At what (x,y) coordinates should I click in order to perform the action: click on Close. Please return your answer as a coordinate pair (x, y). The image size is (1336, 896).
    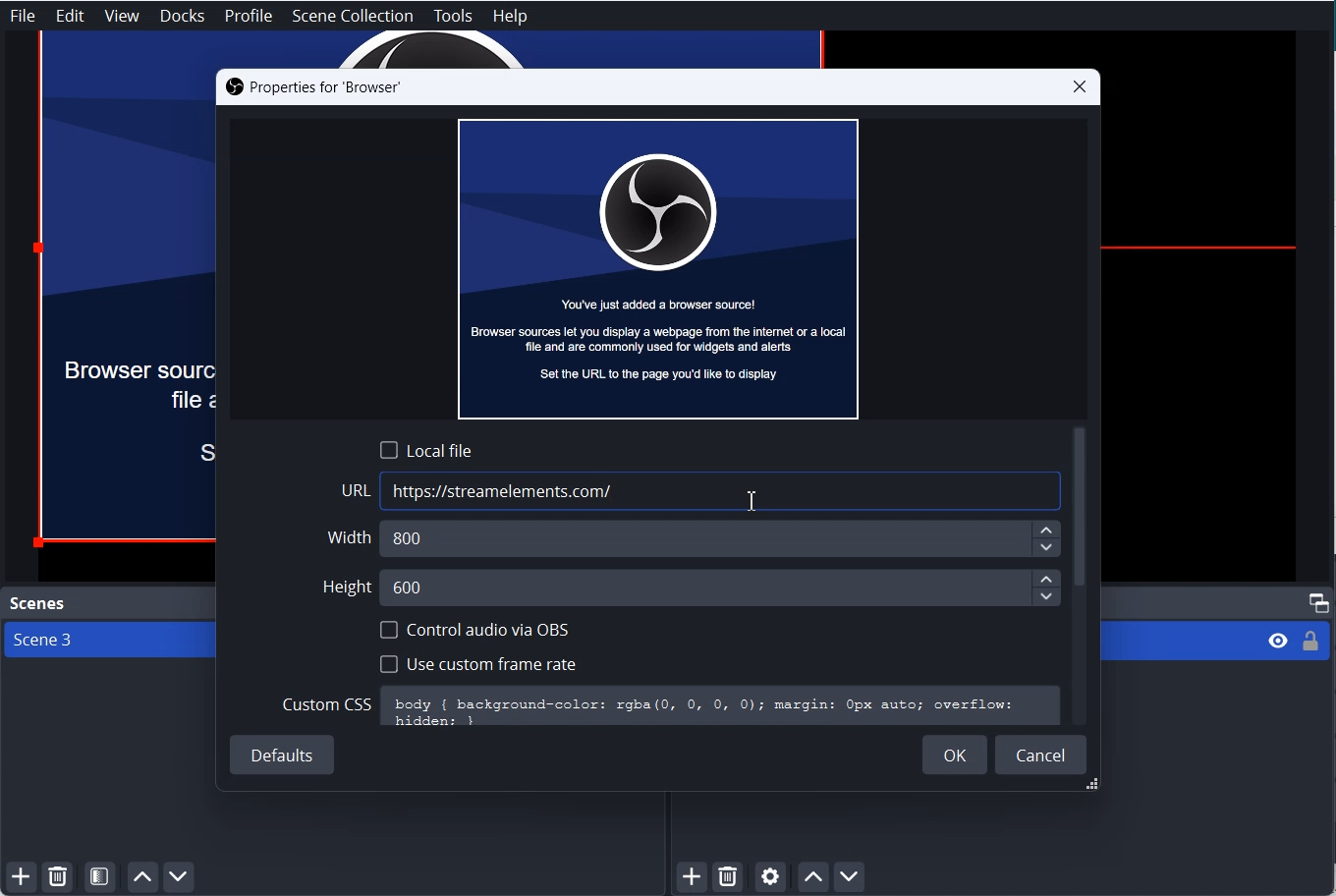
    Looking at the image, I should click on (1080, 86).